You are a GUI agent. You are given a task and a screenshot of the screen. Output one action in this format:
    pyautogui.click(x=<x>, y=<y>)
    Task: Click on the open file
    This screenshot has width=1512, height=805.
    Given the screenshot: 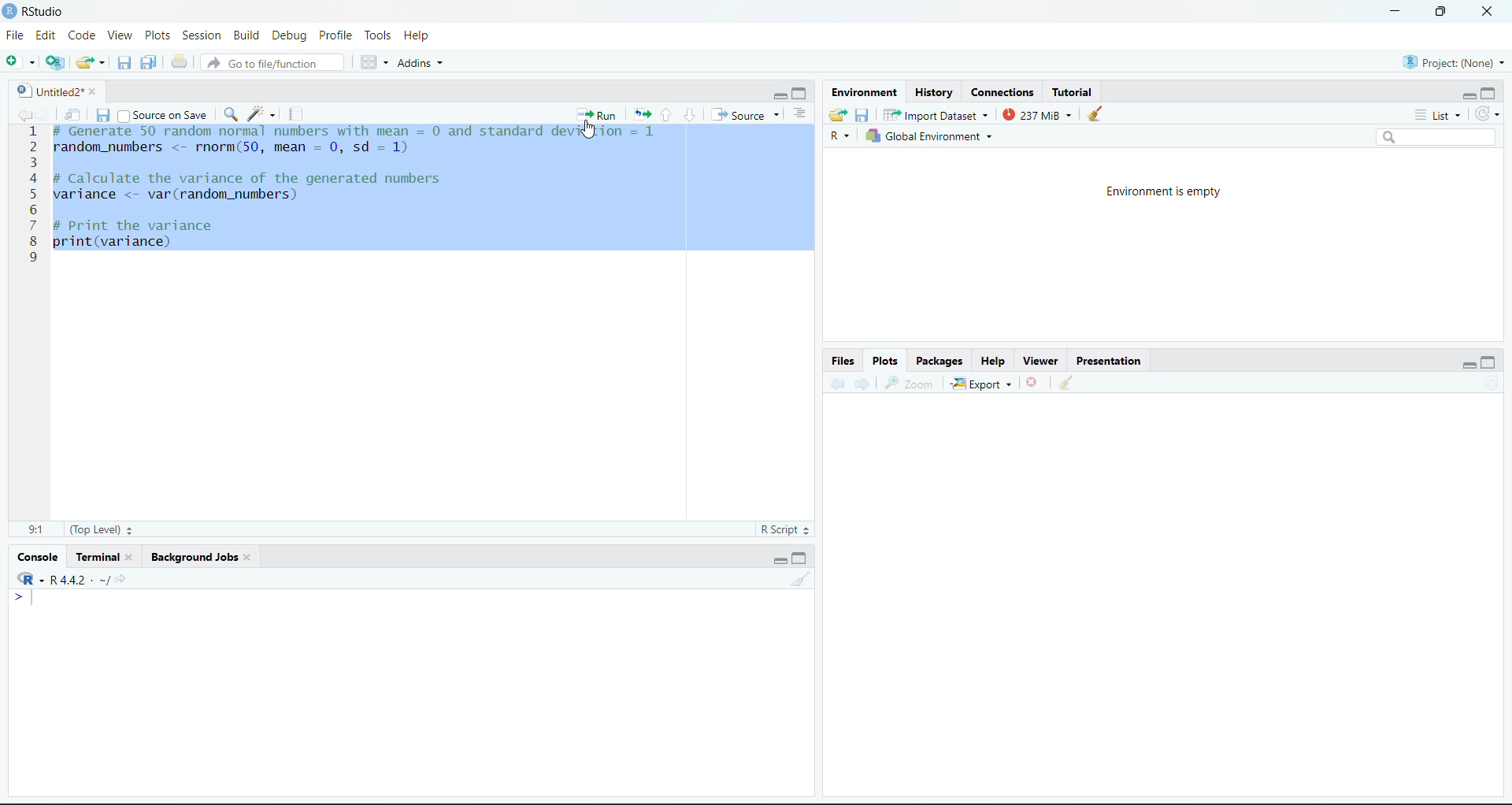 What is the action you would take?
    pyautogui.click(x=91, y=63)
    